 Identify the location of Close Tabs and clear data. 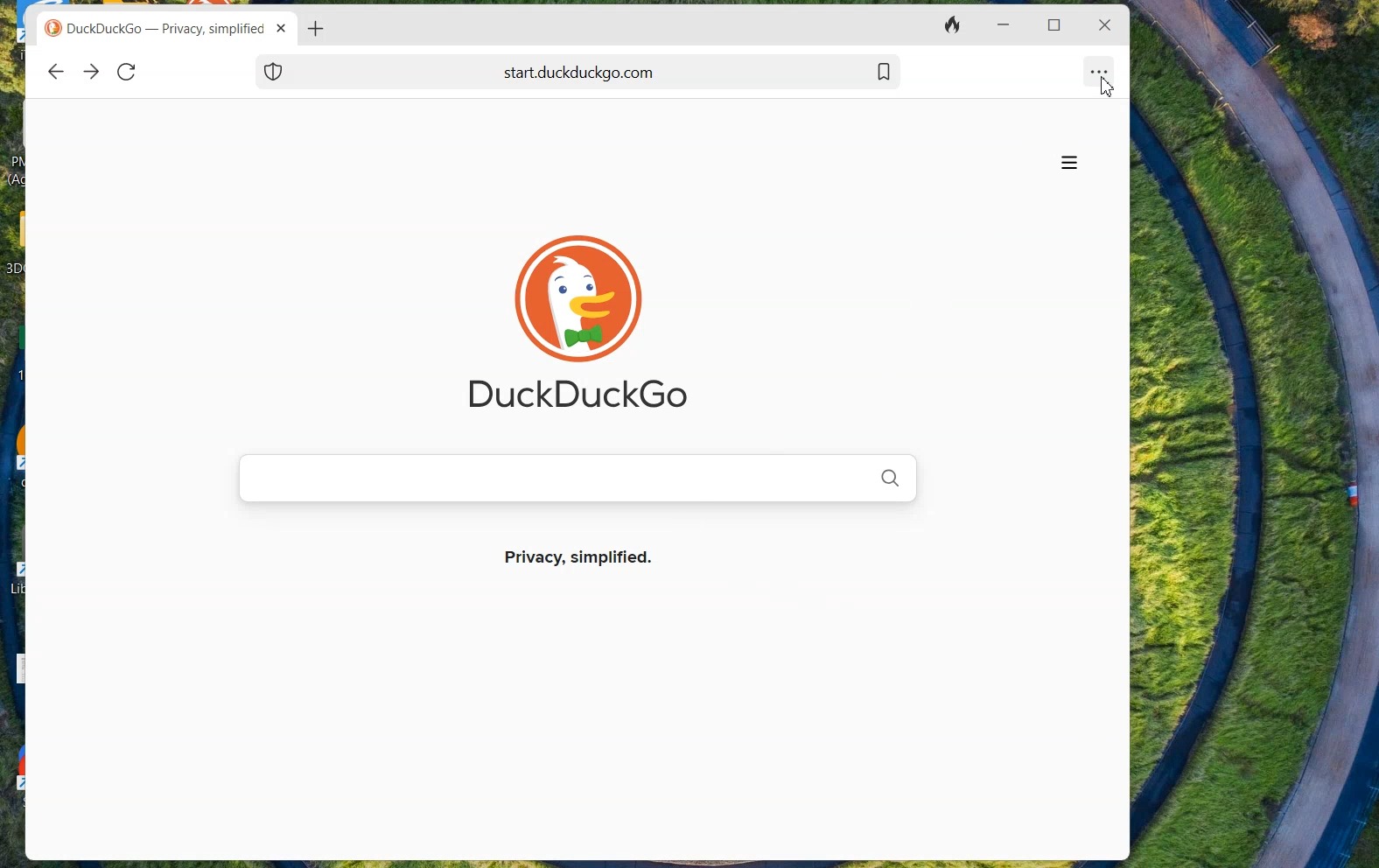
(955, 25).